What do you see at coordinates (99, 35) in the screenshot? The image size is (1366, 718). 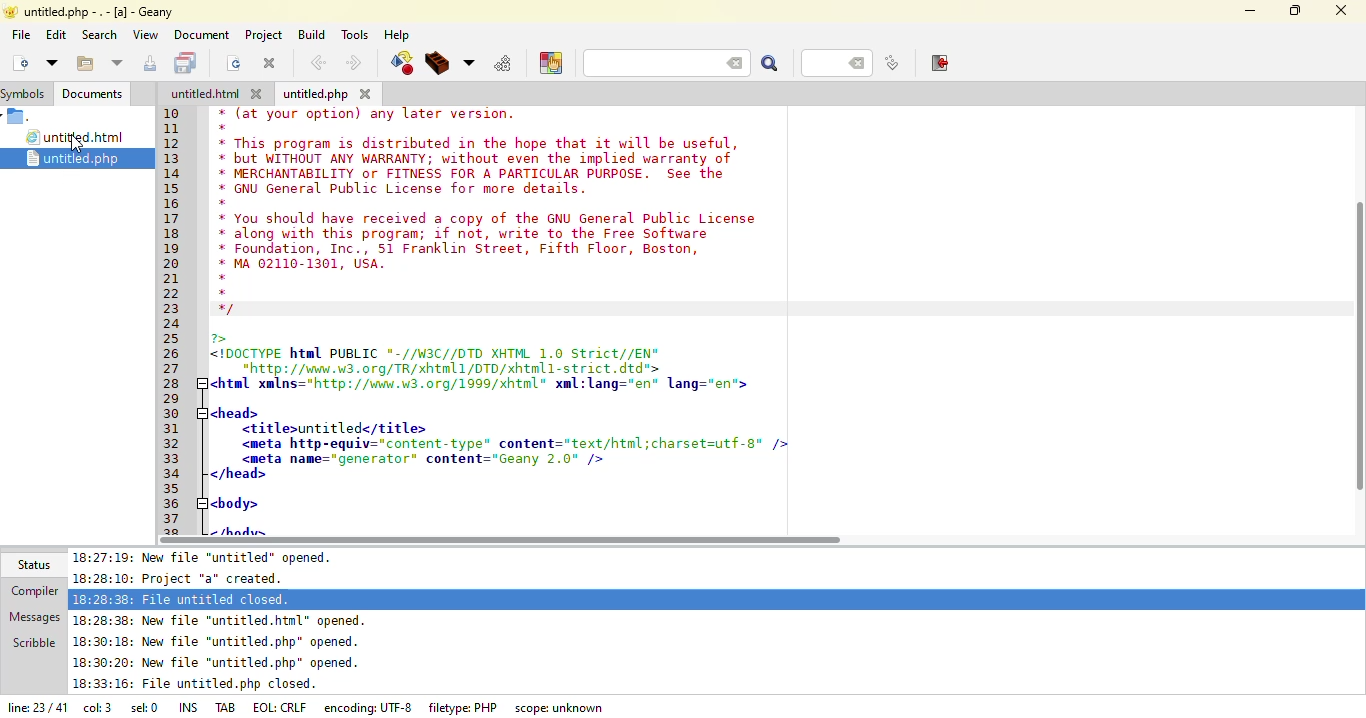 I see `search` at bounding box center [99, 35].